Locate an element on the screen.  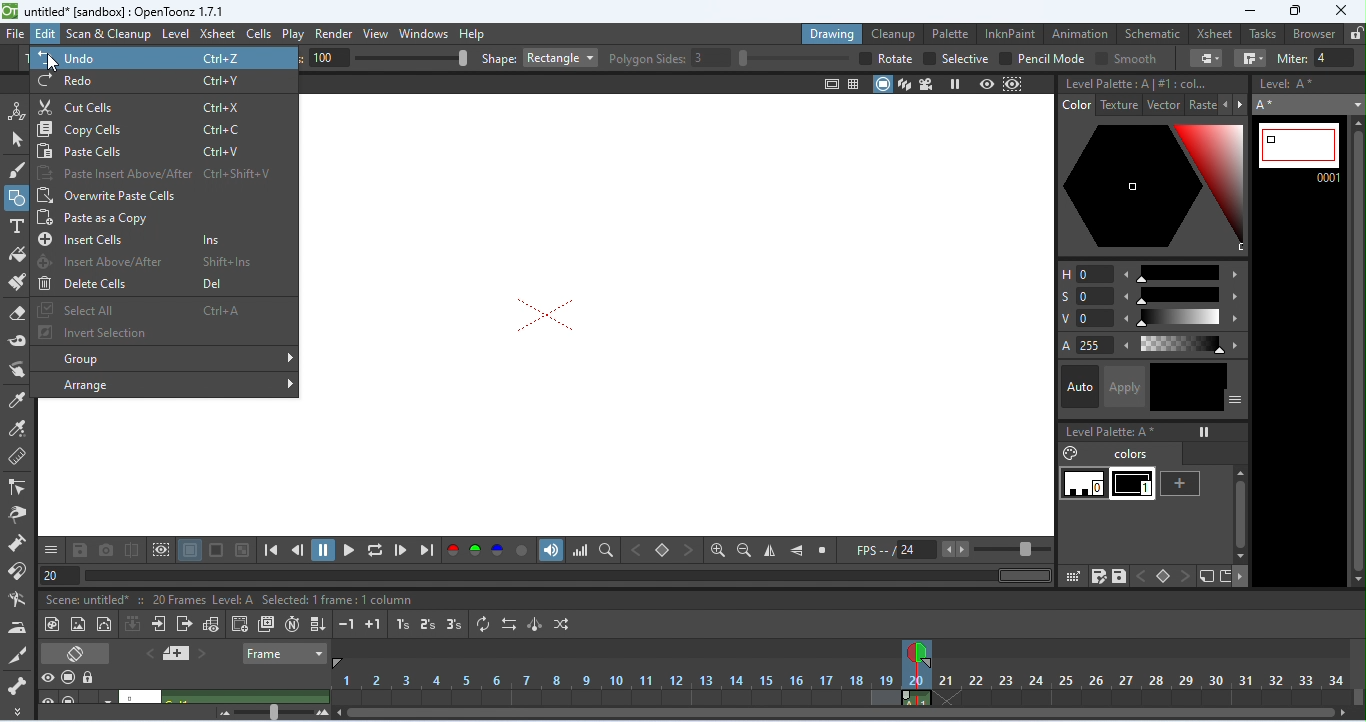
reframe on 1s is located at coordinates (403, 625).